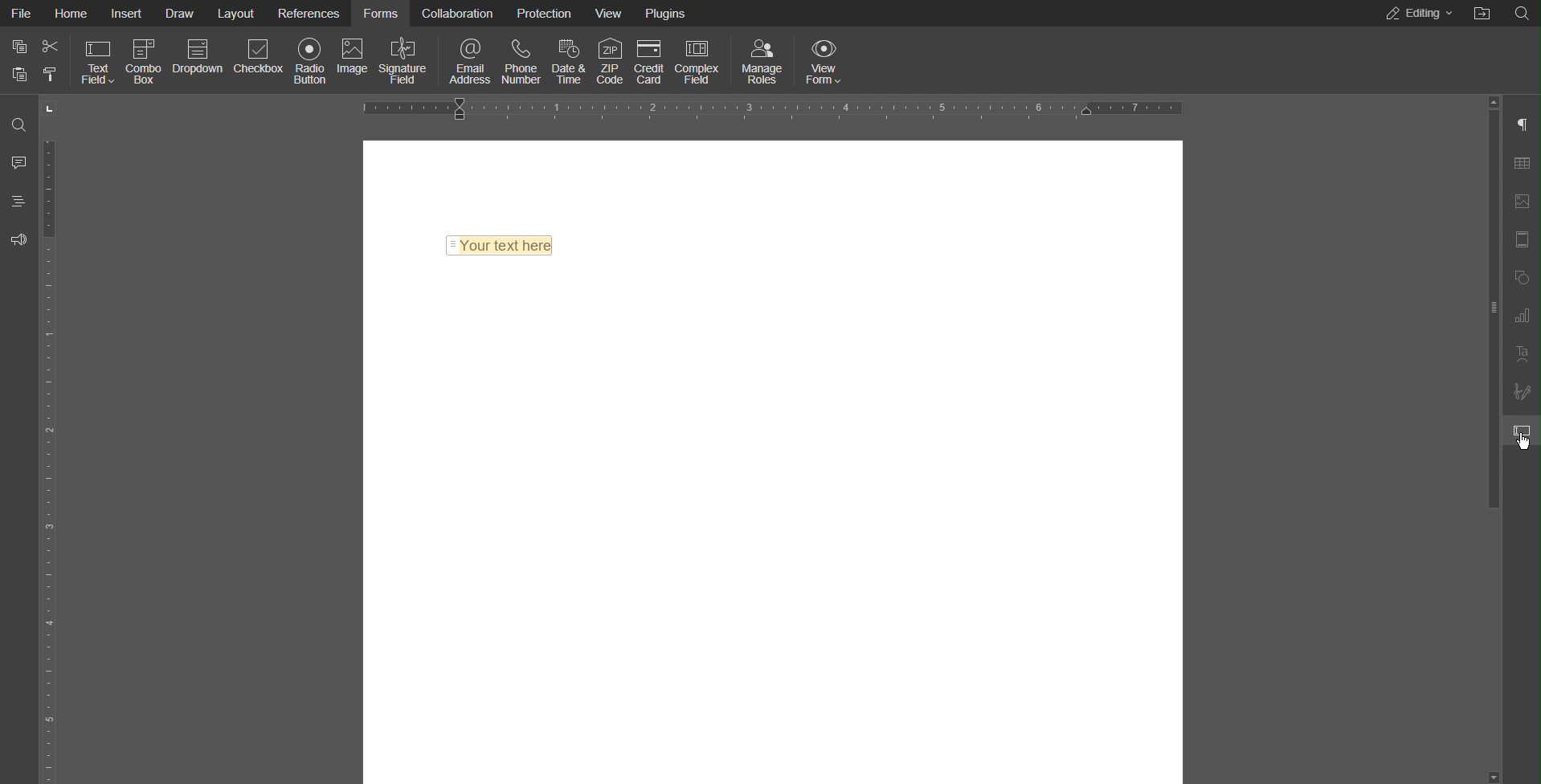 The width and height of the screenshot is (1541, 784). Describe the element at coordinates (379, 13) in the screenshot. I see `Forms` at that location.